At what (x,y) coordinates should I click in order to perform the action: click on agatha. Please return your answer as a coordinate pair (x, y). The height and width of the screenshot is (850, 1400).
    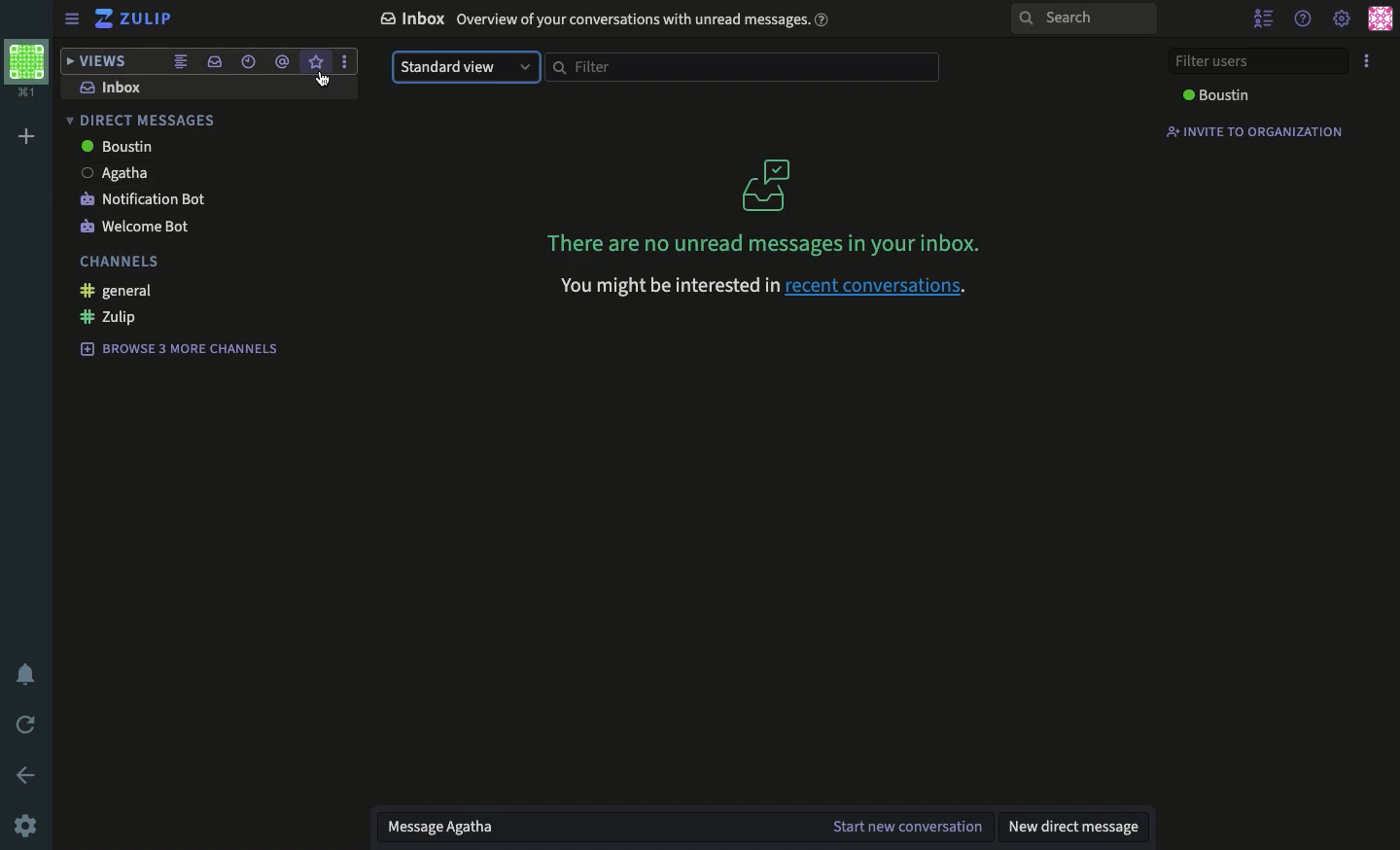
    Looking at the image, I should click on (111, 174).